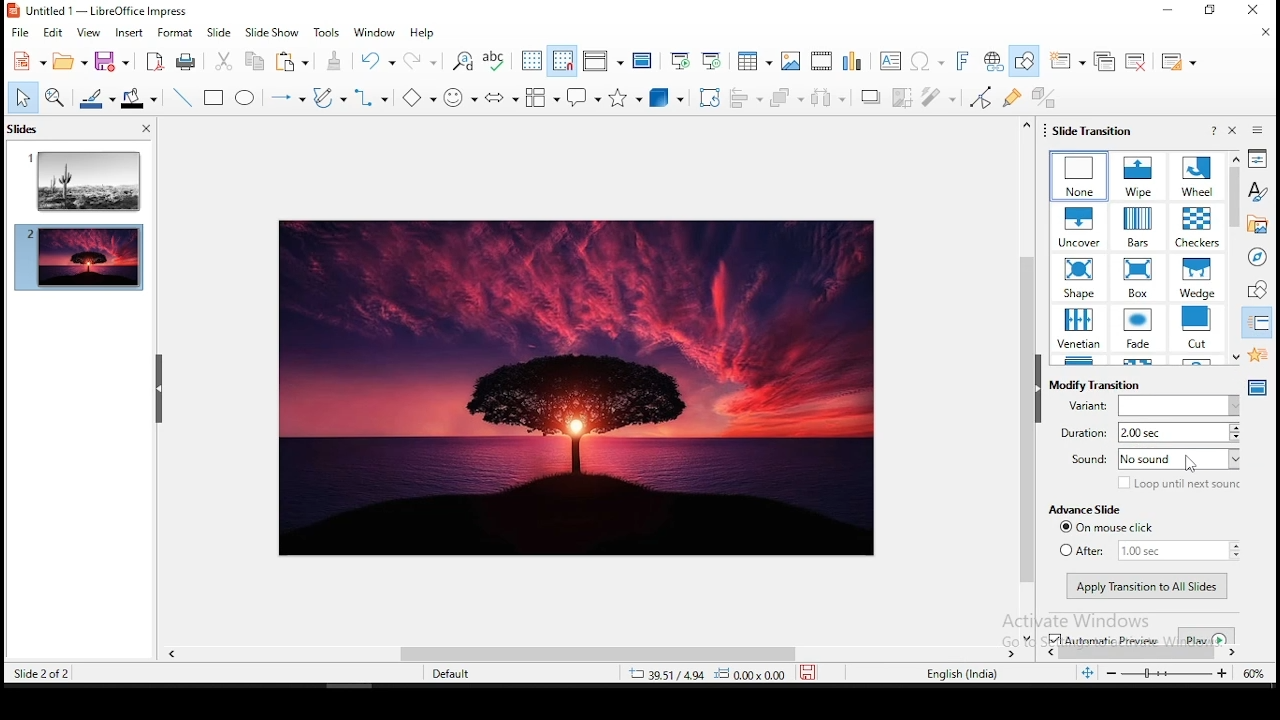  What do you see at coordinates (373, 34) in the screenshot?
I see `window` at bounding box center [373, 34].